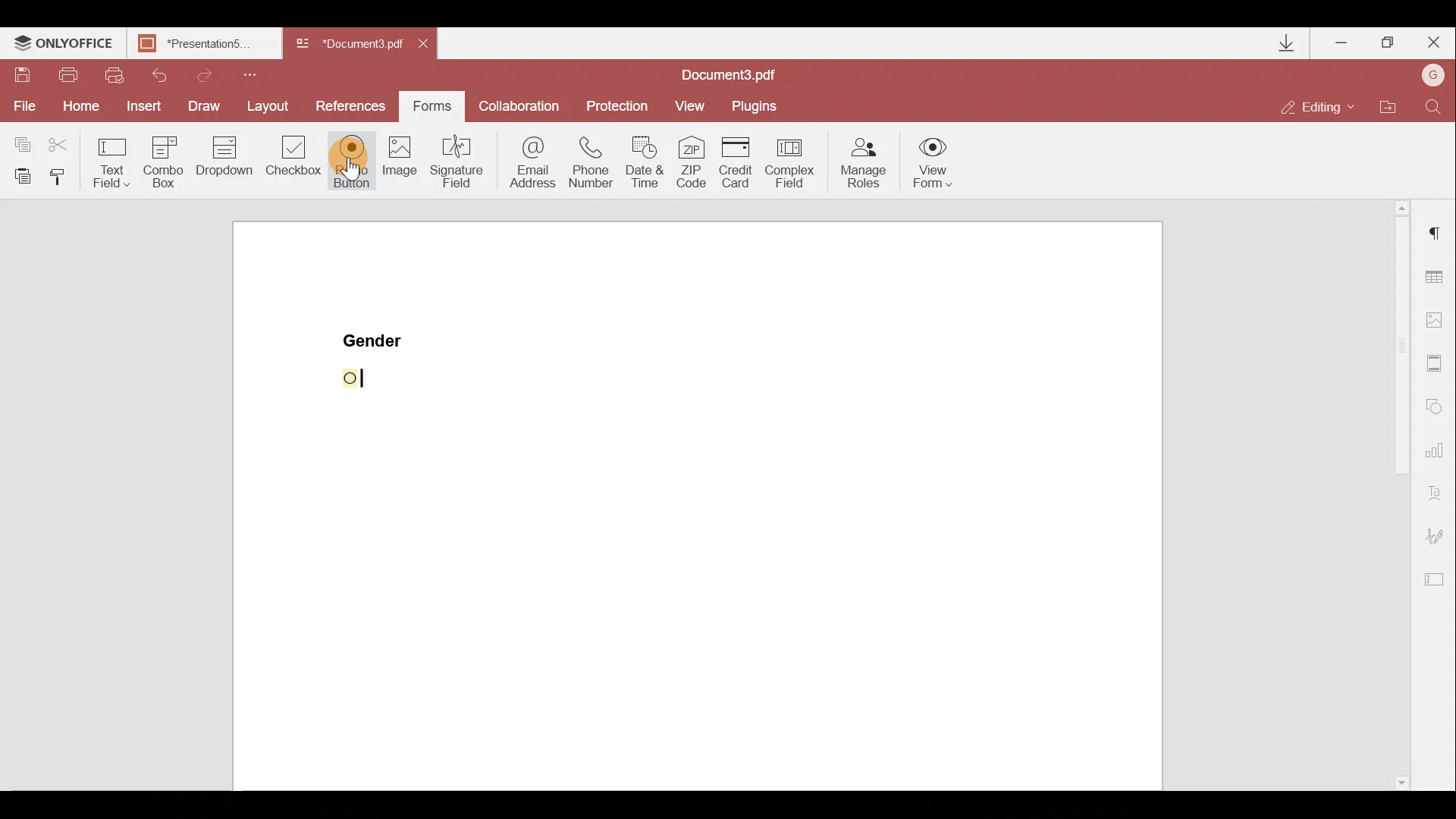 This screenshot has height=819, width=1456. I want to click on Document name, so click(733, 73).